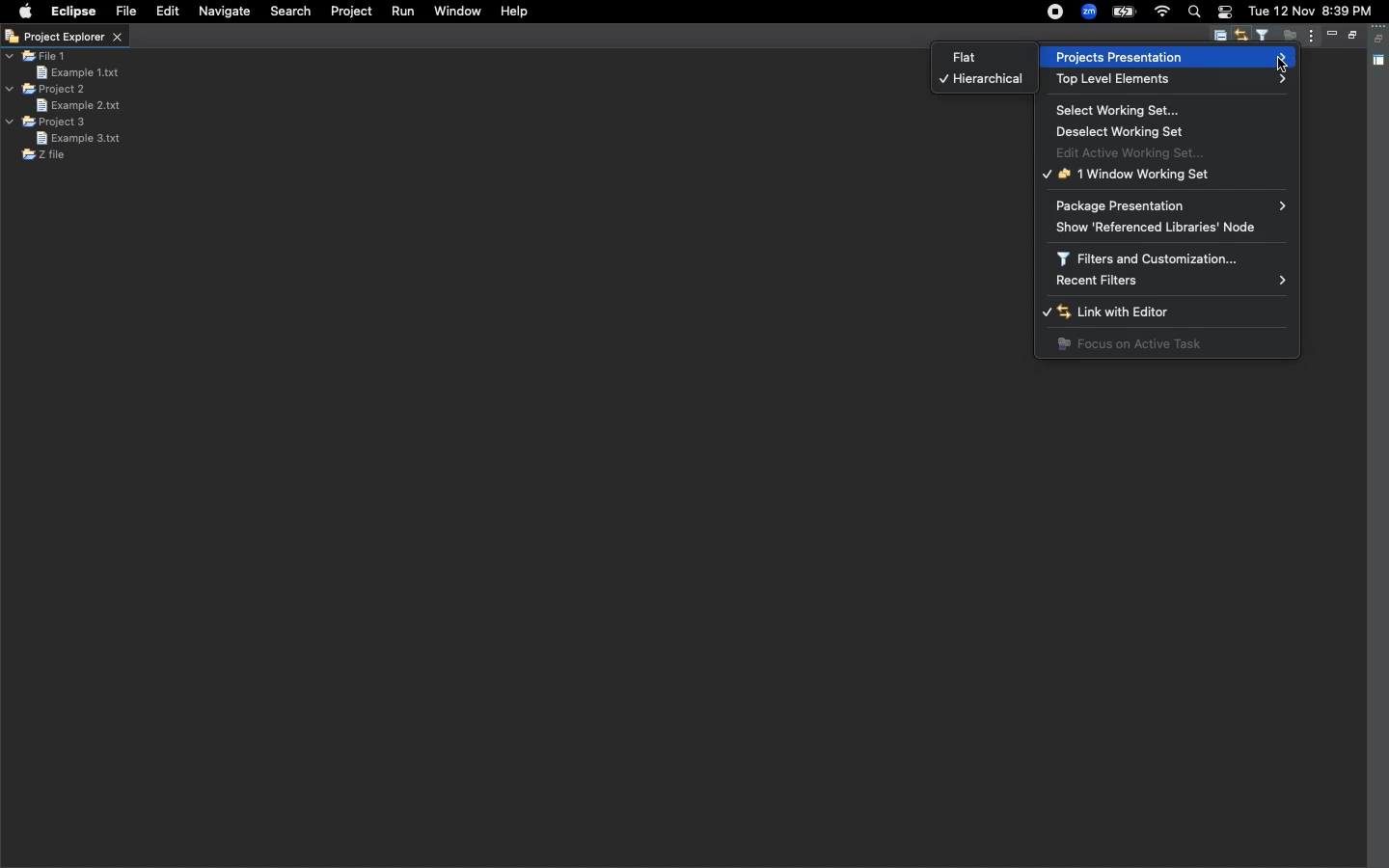 This screenshot has height=868, width=1389. Describe the element at coordinates (1168, 80) in the screenshot. I see `Top level elements` at that location.